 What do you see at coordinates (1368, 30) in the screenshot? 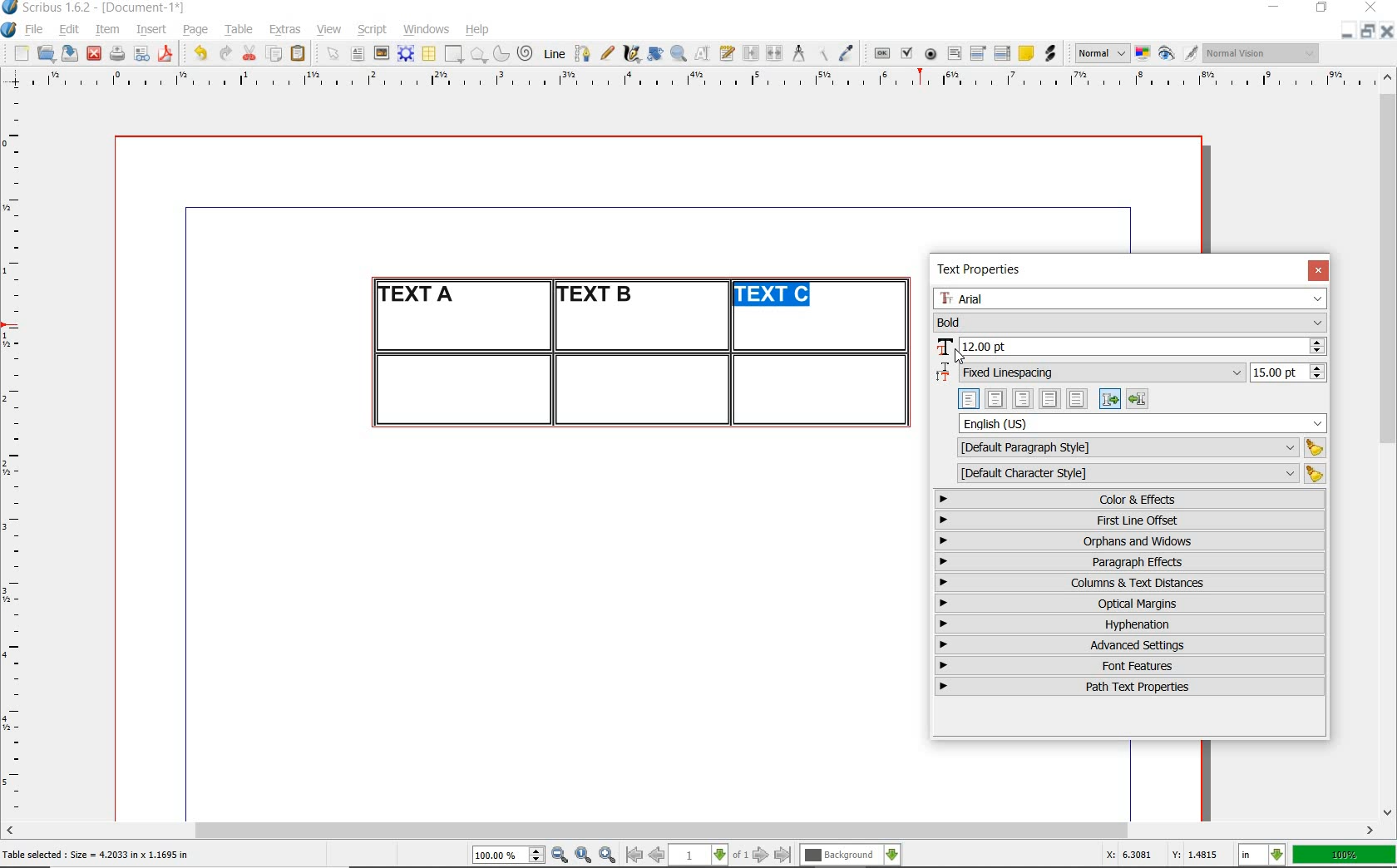
I see `restore` at bounding box center [1368, 30].